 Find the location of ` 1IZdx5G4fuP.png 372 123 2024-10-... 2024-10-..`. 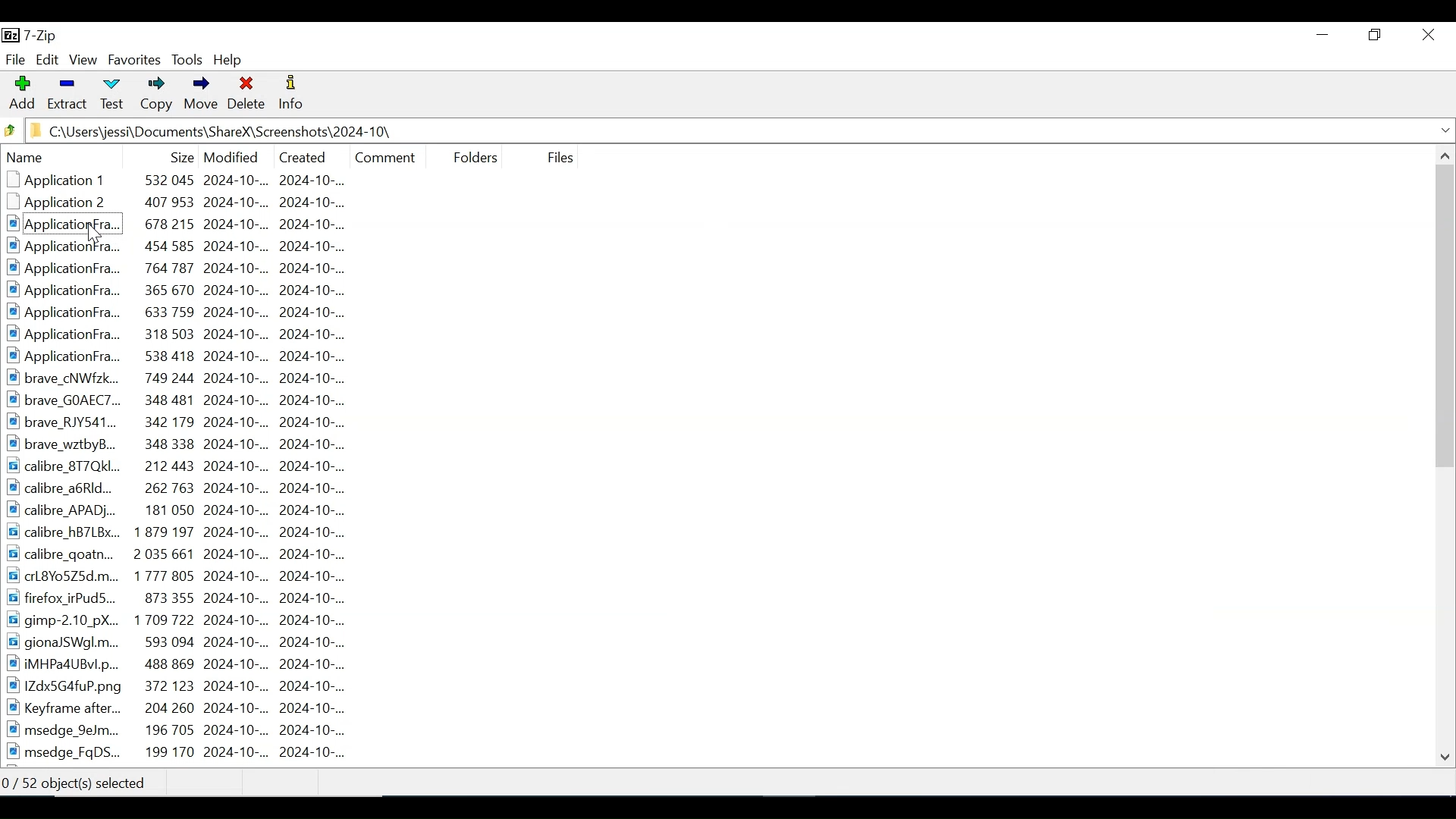

 1IZdx5G4fuP.png 372 123 2024-10-... 2024-10-.. is located at coordinates (180, 686).